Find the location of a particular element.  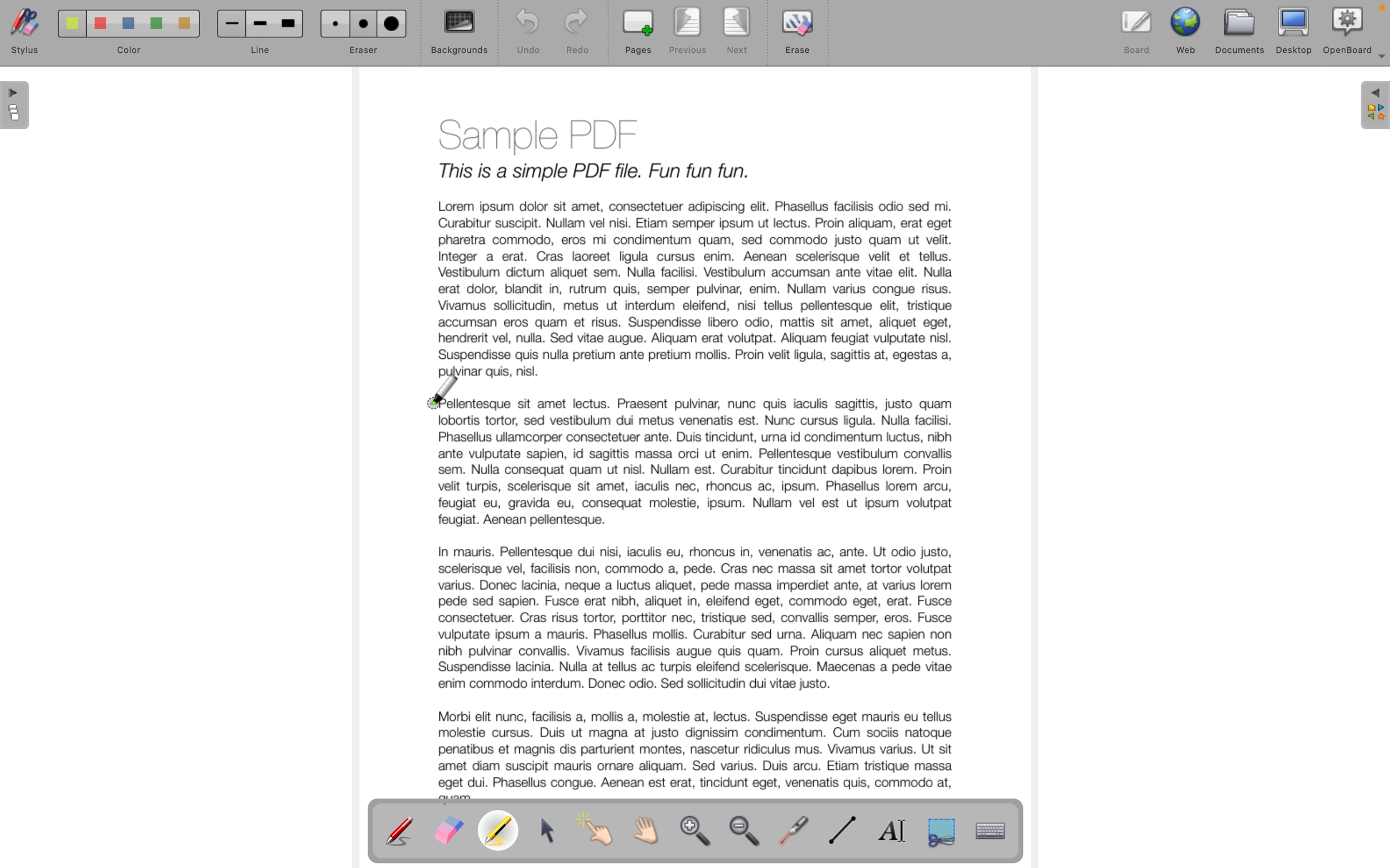

desktop is located at coordinates (1295, 30).